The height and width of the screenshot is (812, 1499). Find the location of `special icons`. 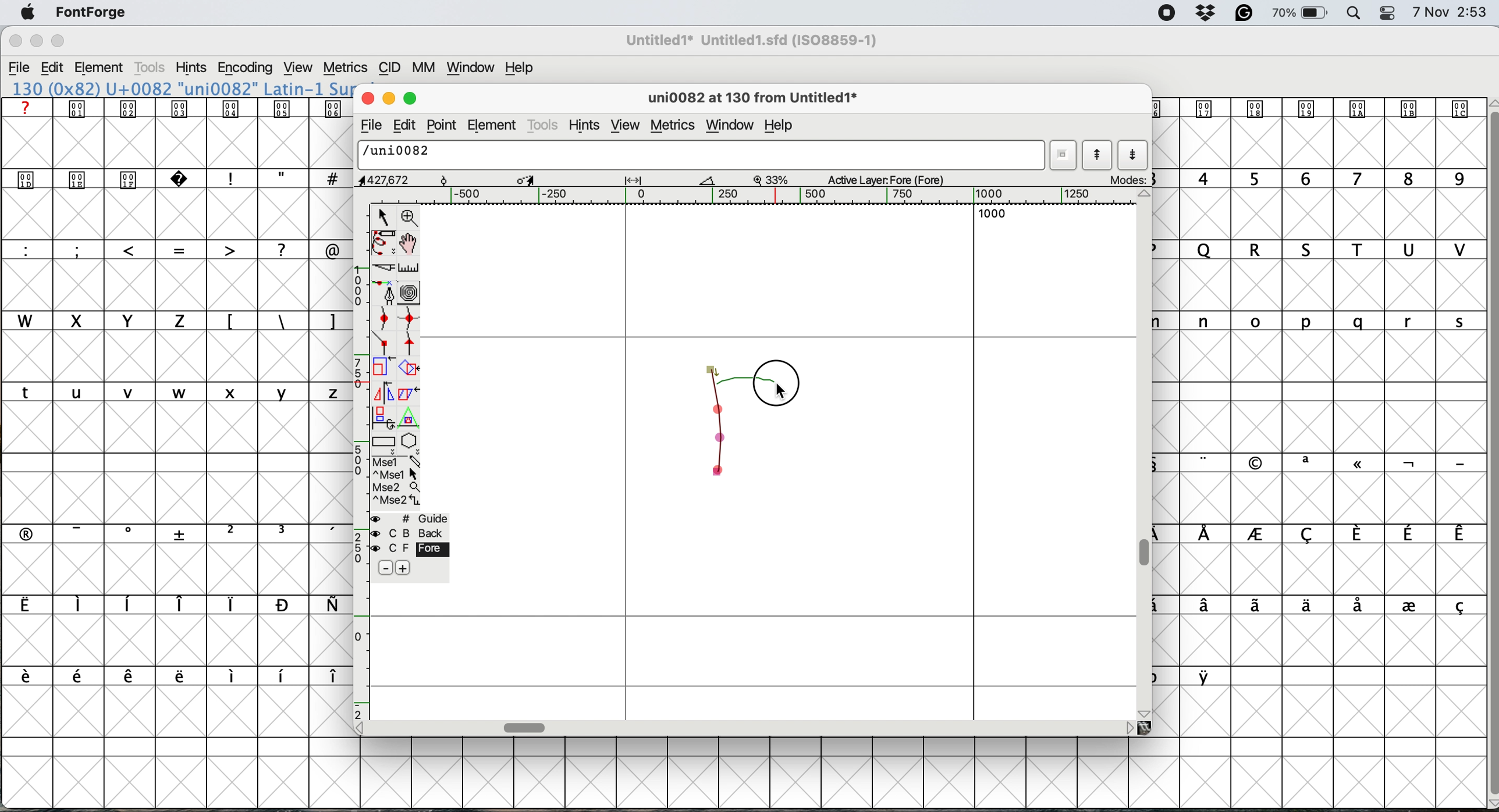

special icons is located at coordinates (106, 177).